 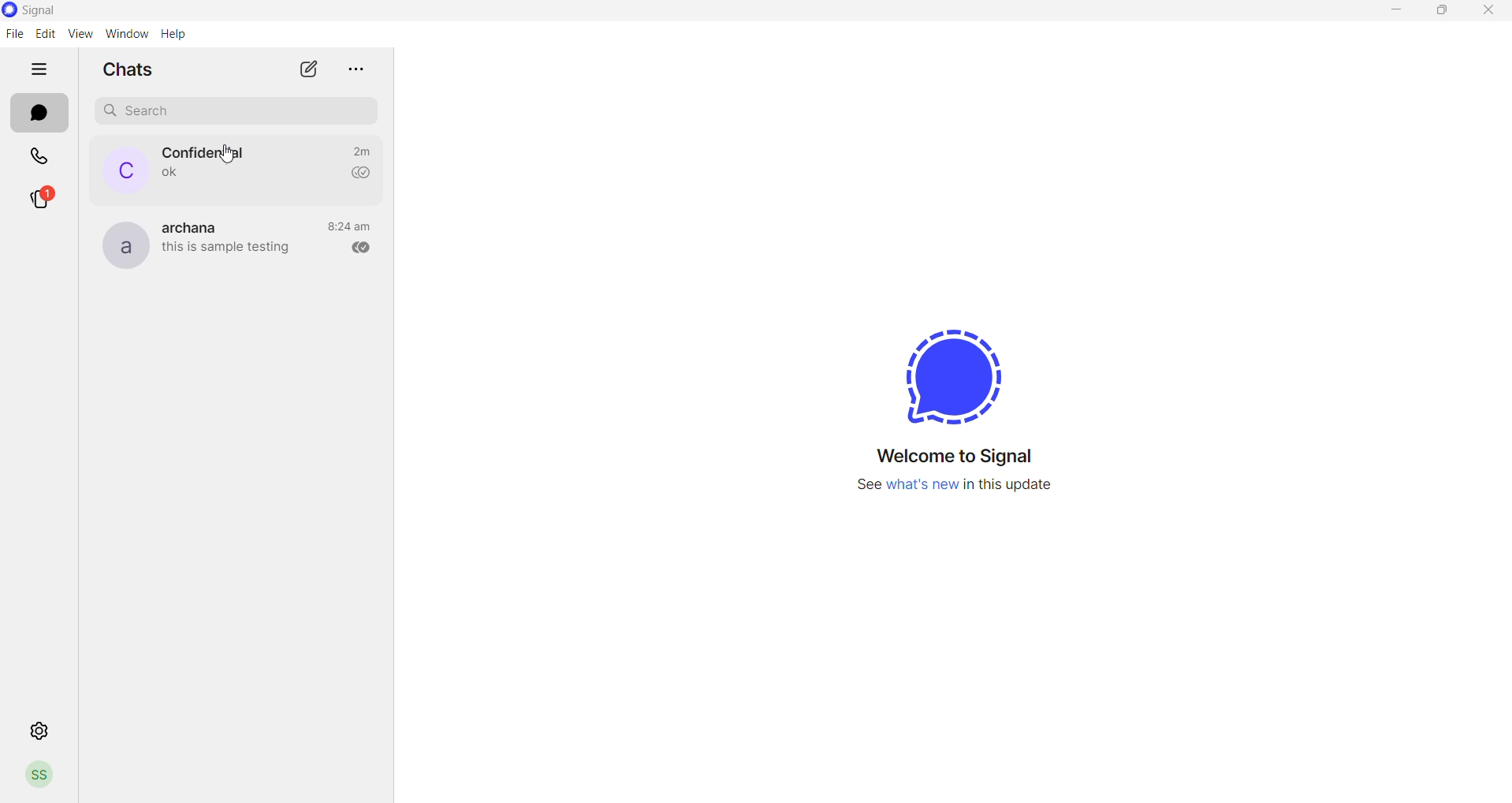 I want to click on file, so click(x=11, y=35).